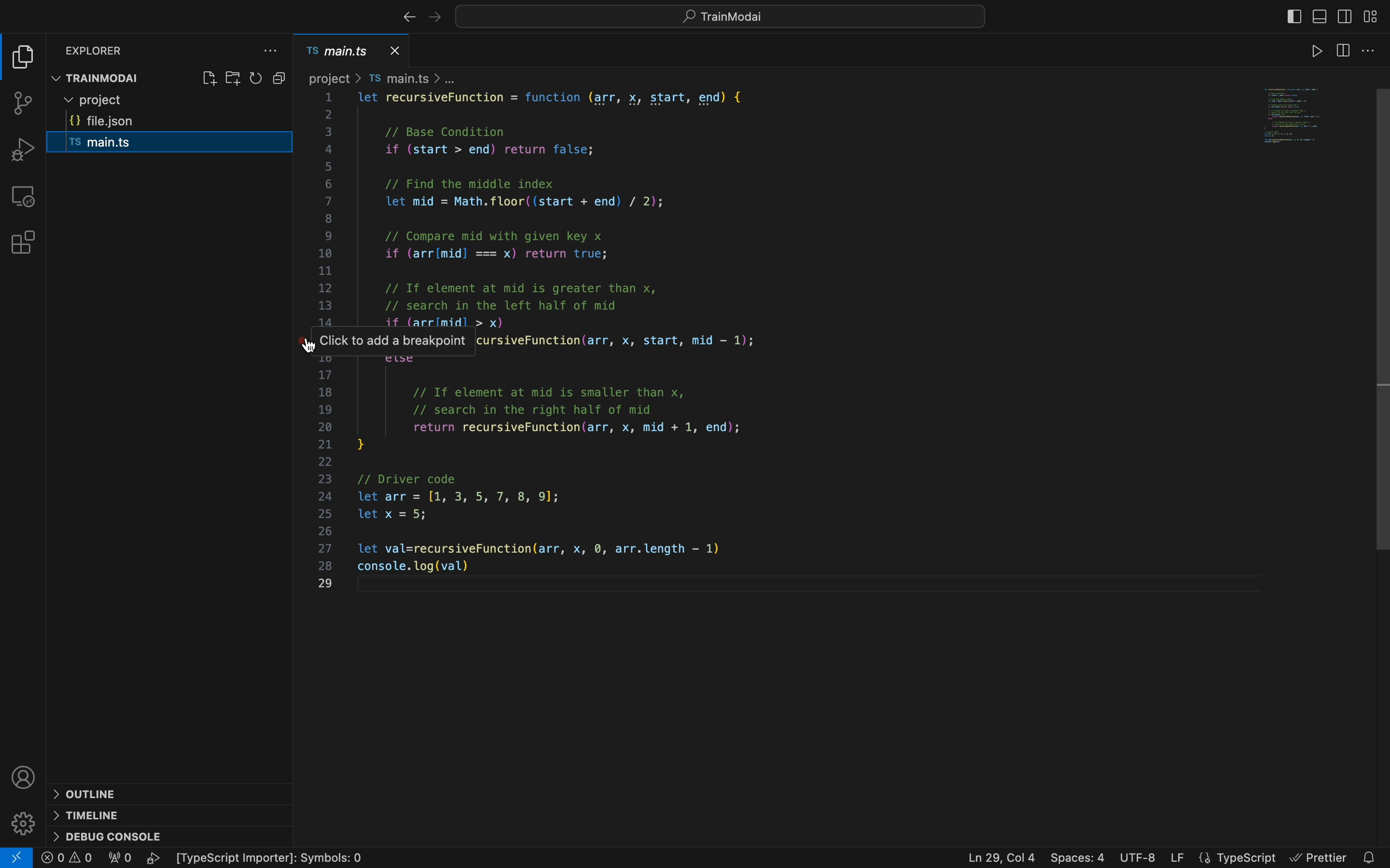 Image resolution: width=1390 pixels, height=868 pixels. What do you see at coordinates (109, 793) in the screenshot?
I see `outline` at bounding box center [109, 793].